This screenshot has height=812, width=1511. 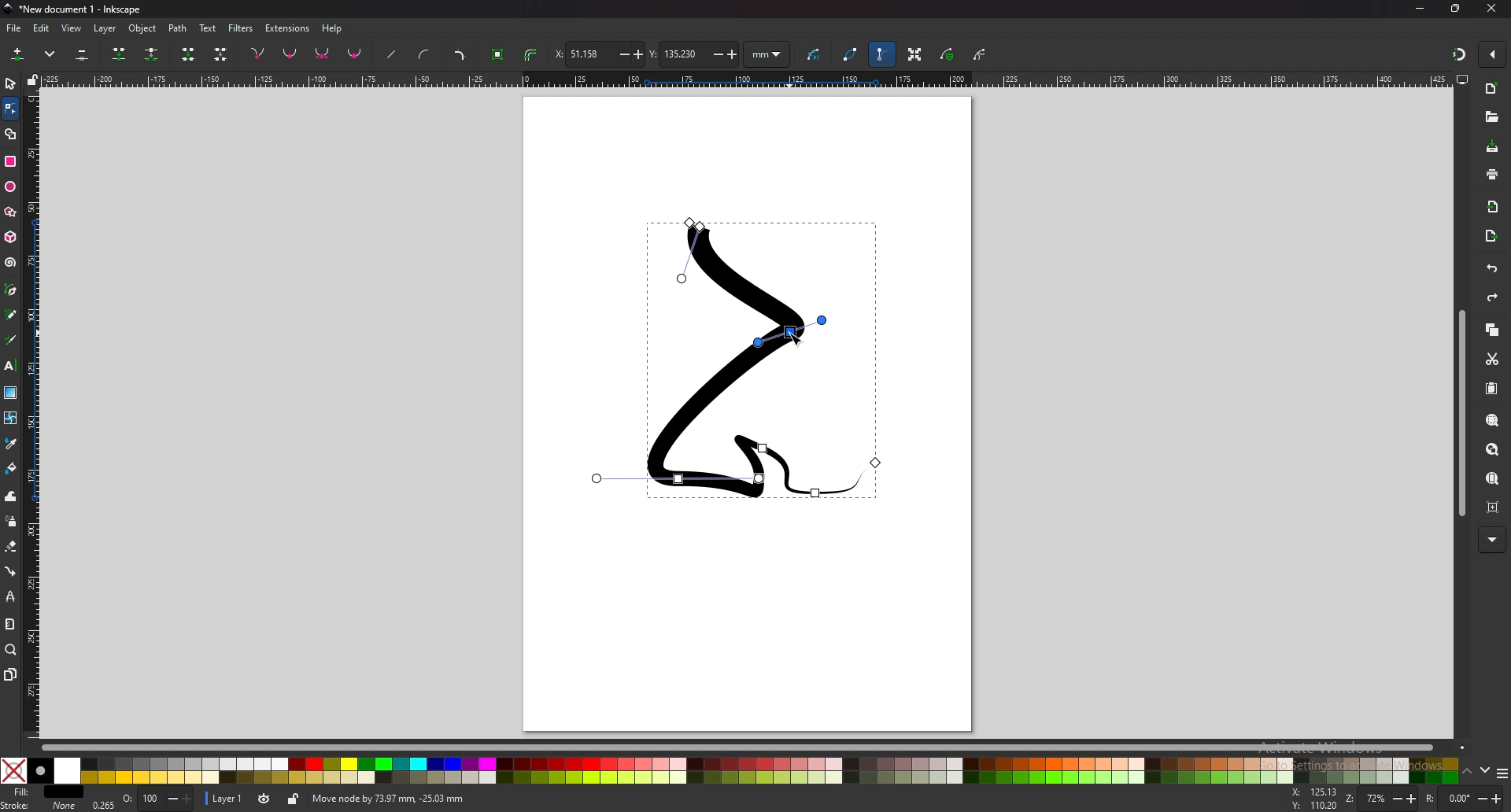 What do you see at coordinates (1465, 798) in the screenshot?
I see `rotation` at bounding box center [1465, 798].